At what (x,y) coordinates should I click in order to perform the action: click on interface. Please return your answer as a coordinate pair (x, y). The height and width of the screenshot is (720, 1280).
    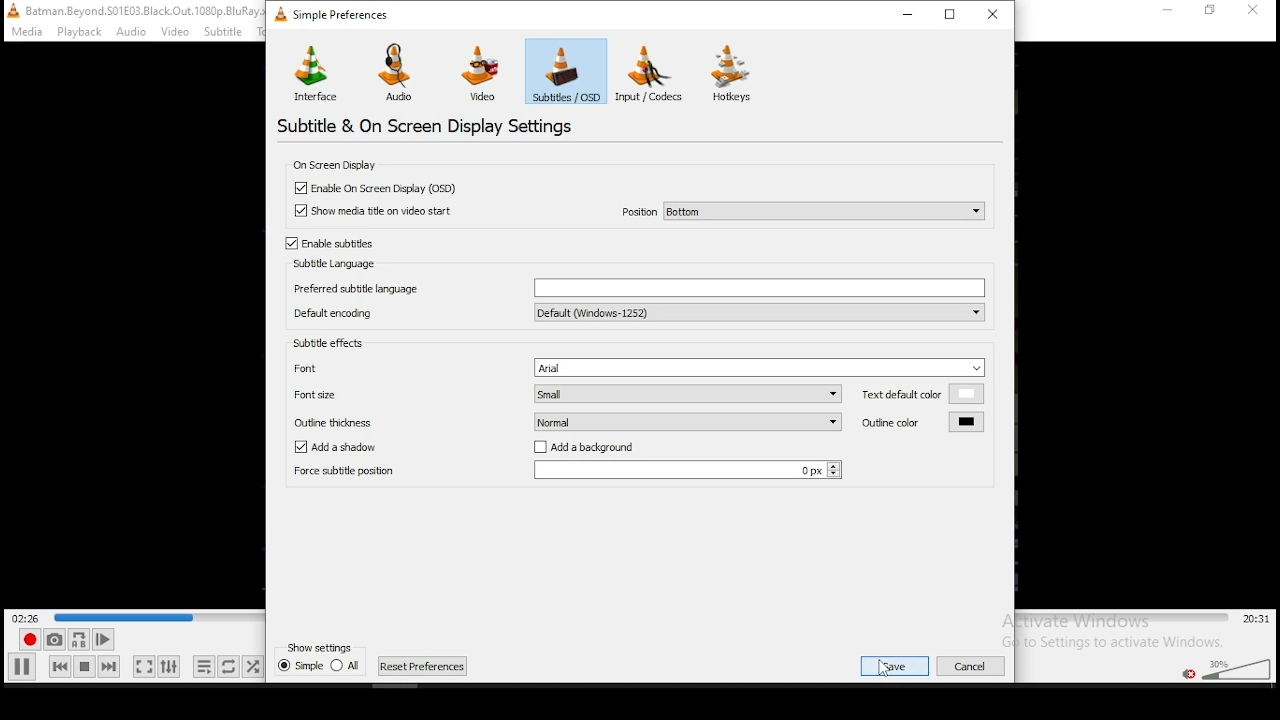
    Looking at the image, I should click on (316, 71).